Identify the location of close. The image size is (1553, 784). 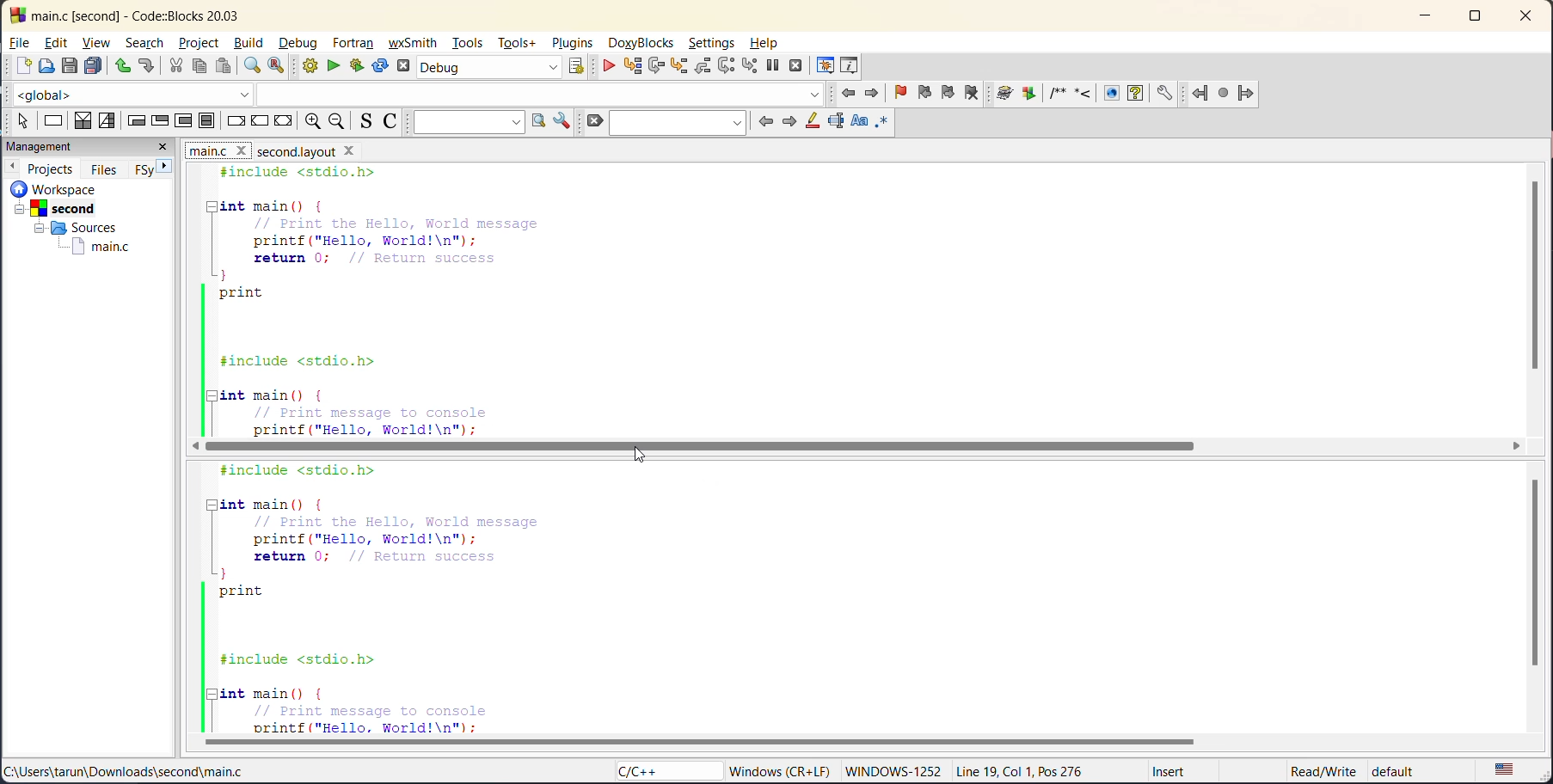
(164, 149).